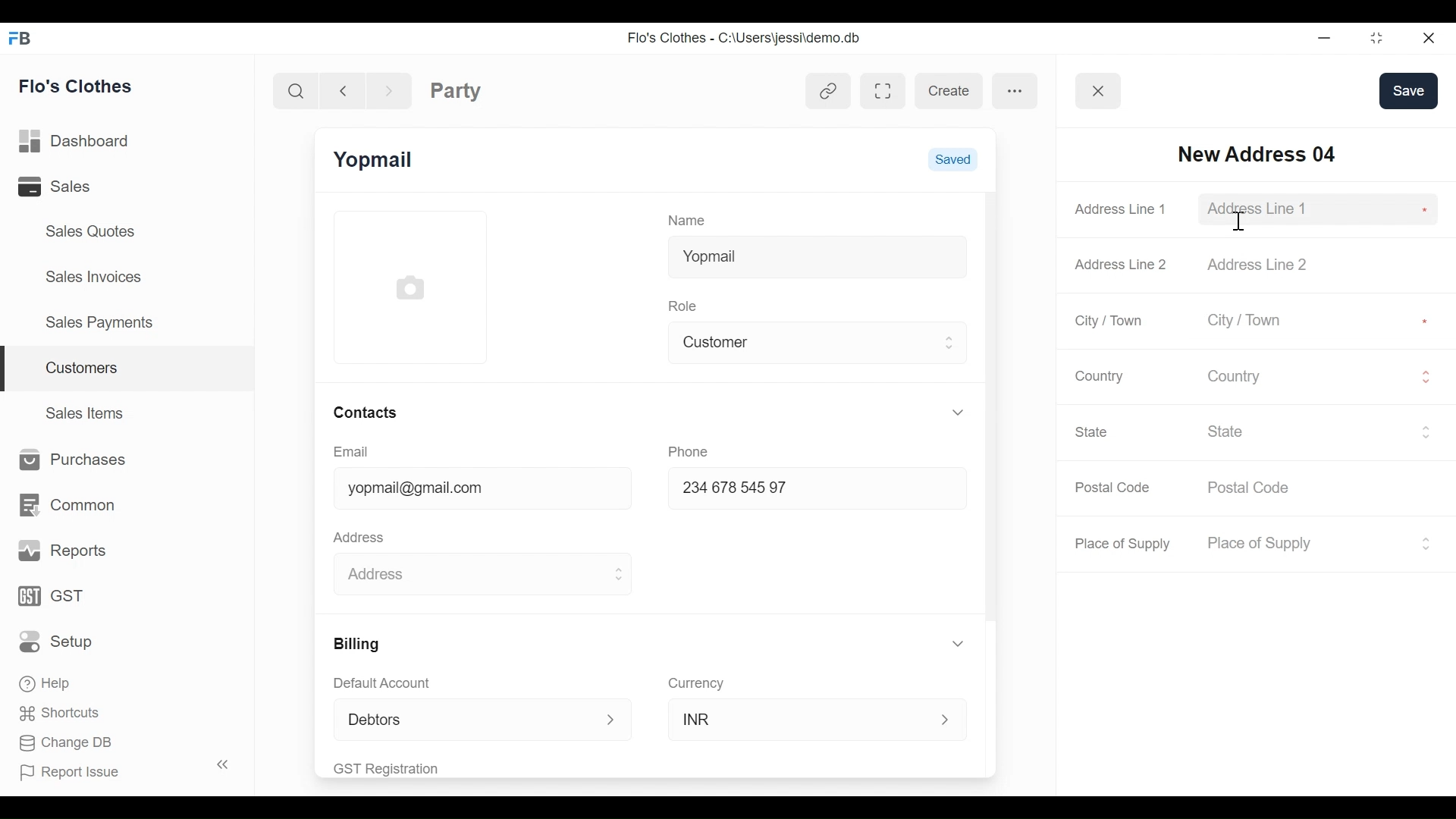  I want to click on Asterisk, so click(1422, 209).